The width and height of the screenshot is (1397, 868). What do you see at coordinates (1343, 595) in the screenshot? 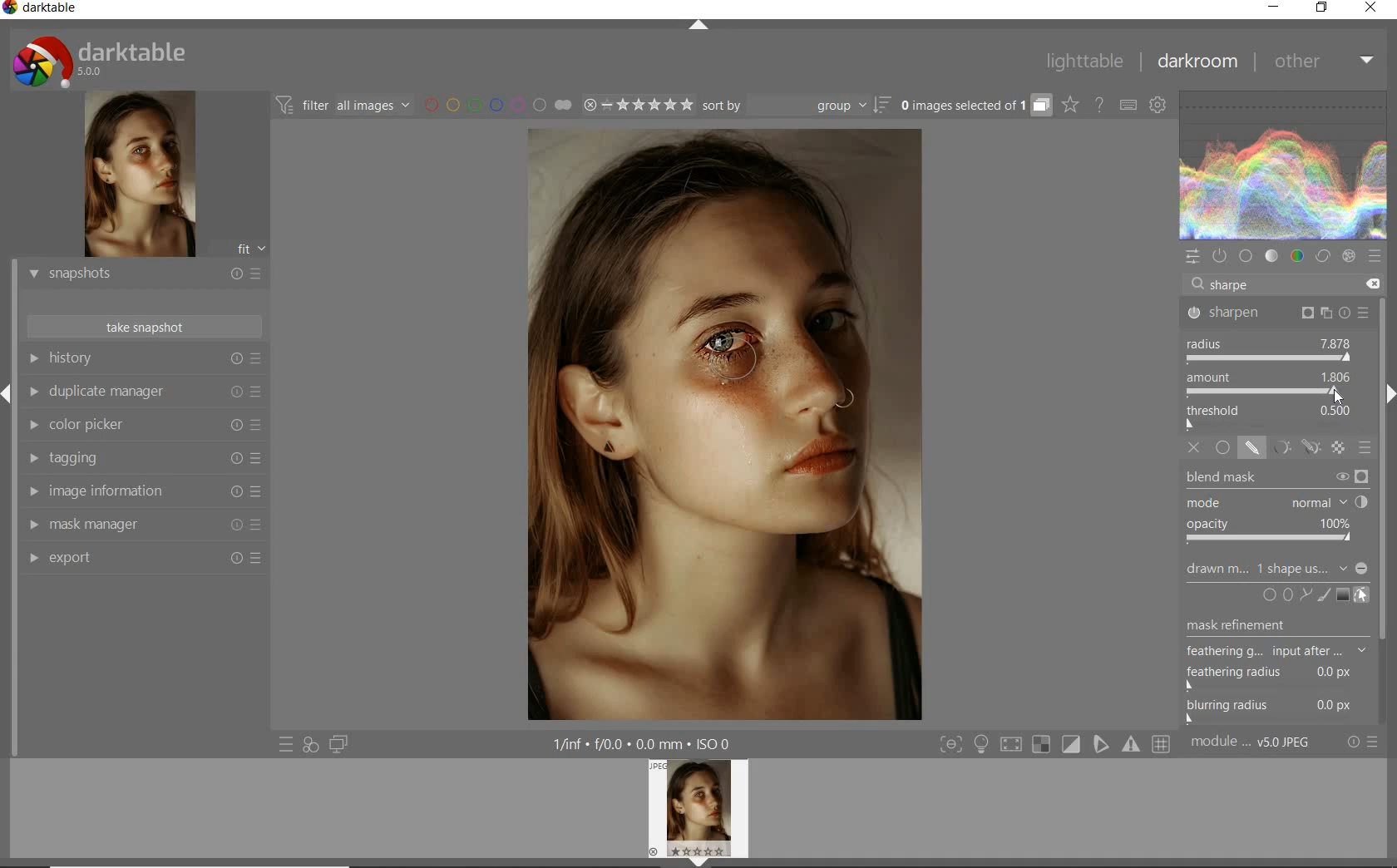
I see `ADD GRADIENT` at bounding box center [1343, 595].